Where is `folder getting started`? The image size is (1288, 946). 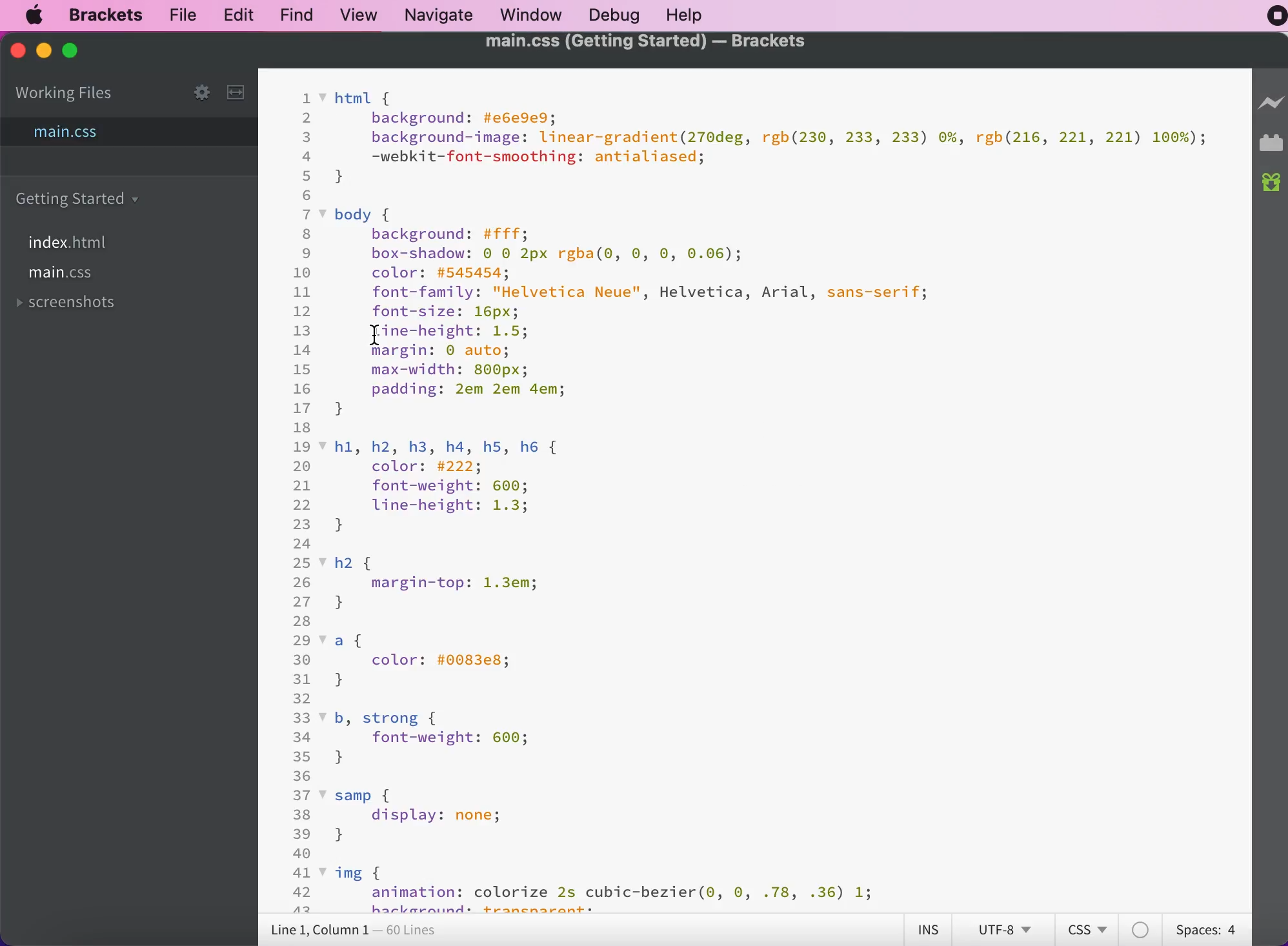
folder getting started is located at coordinates (77, 194).